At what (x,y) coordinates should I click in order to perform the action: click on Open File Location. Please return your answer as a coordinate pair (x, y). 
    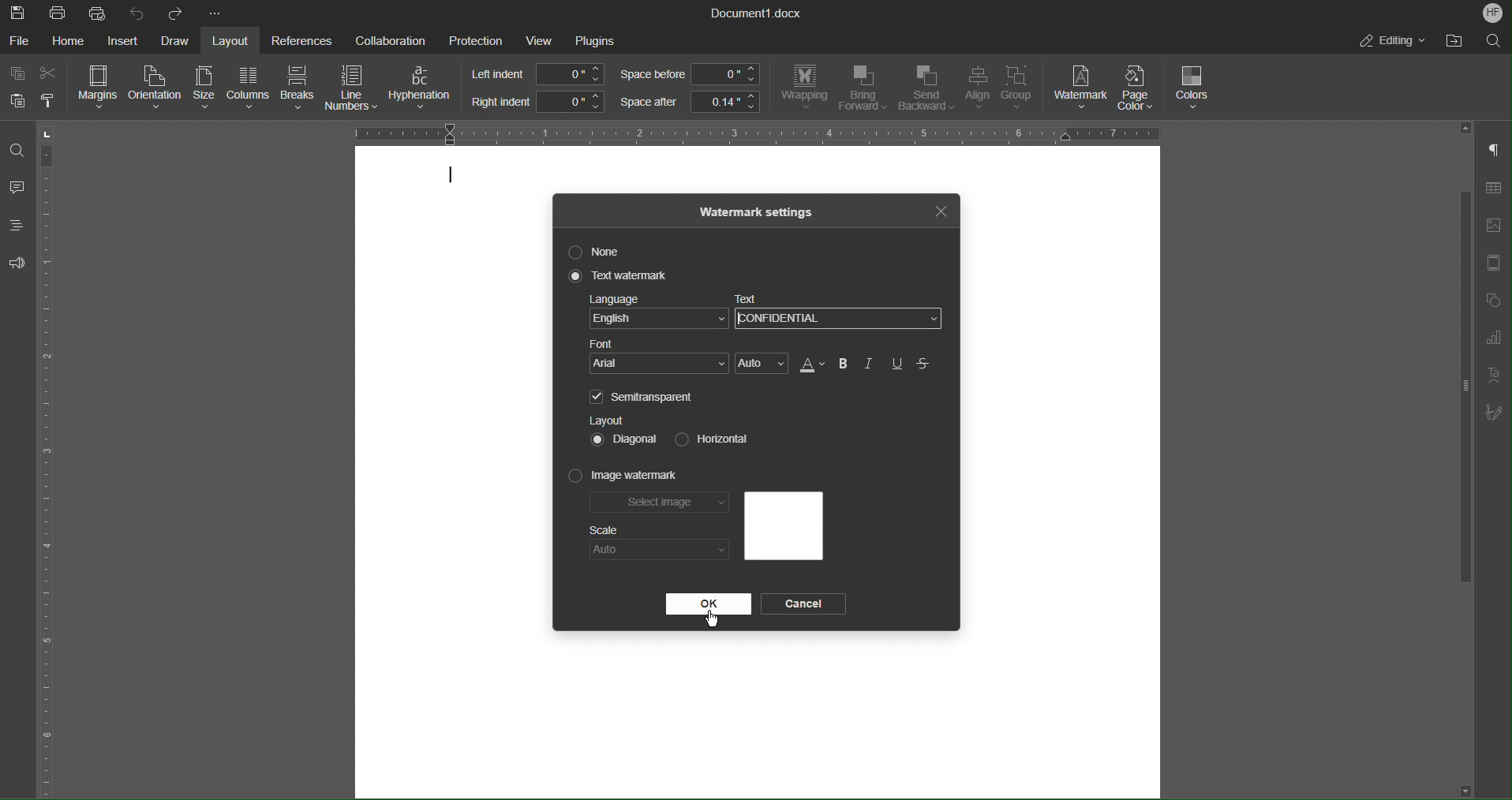
    Looking at the image, I should click on (1450, 41).